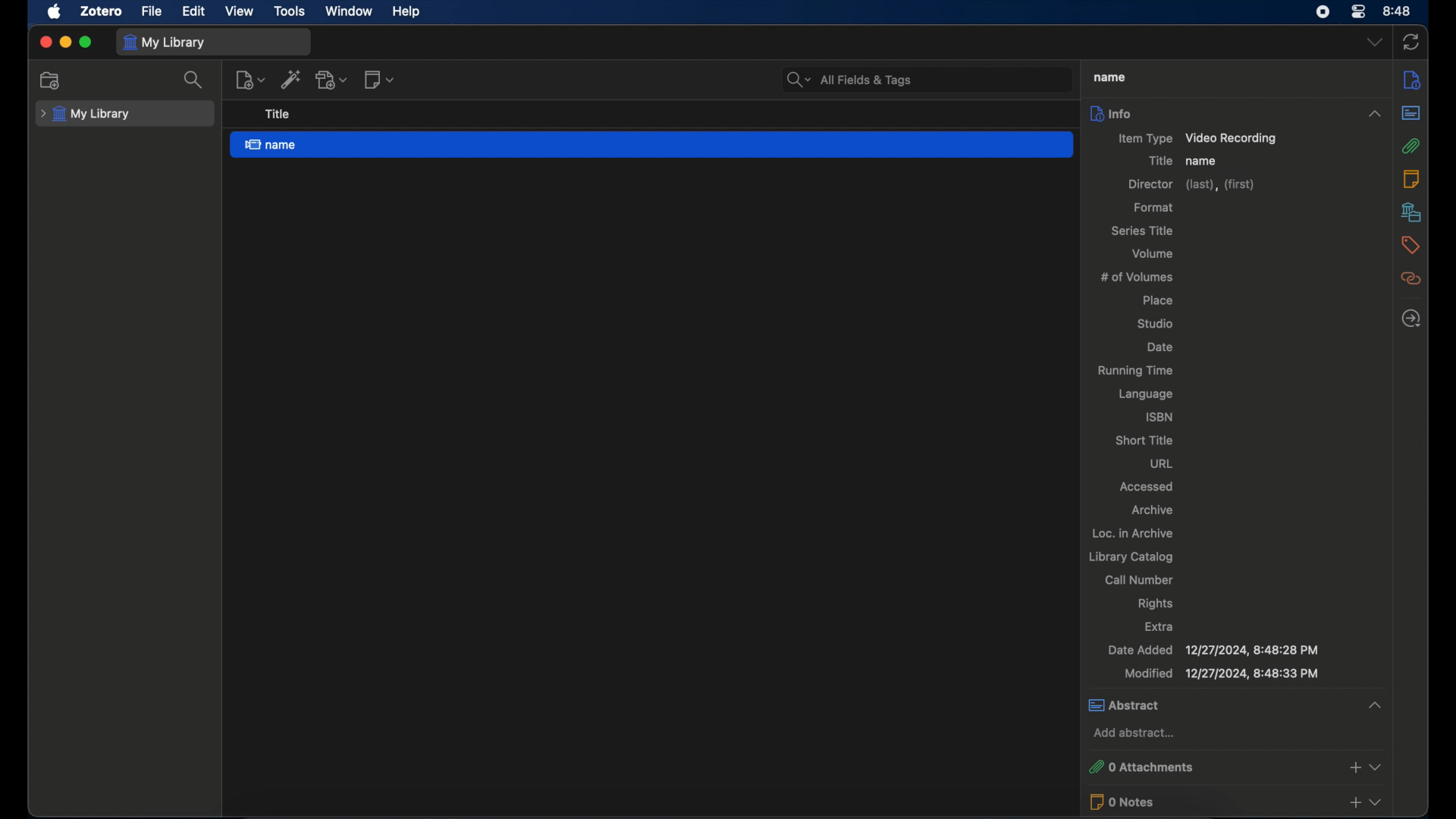 The image size is (1456, 819). Describe the element at coordinates (193, 11) in the screenshot. I see `edit` at that location.